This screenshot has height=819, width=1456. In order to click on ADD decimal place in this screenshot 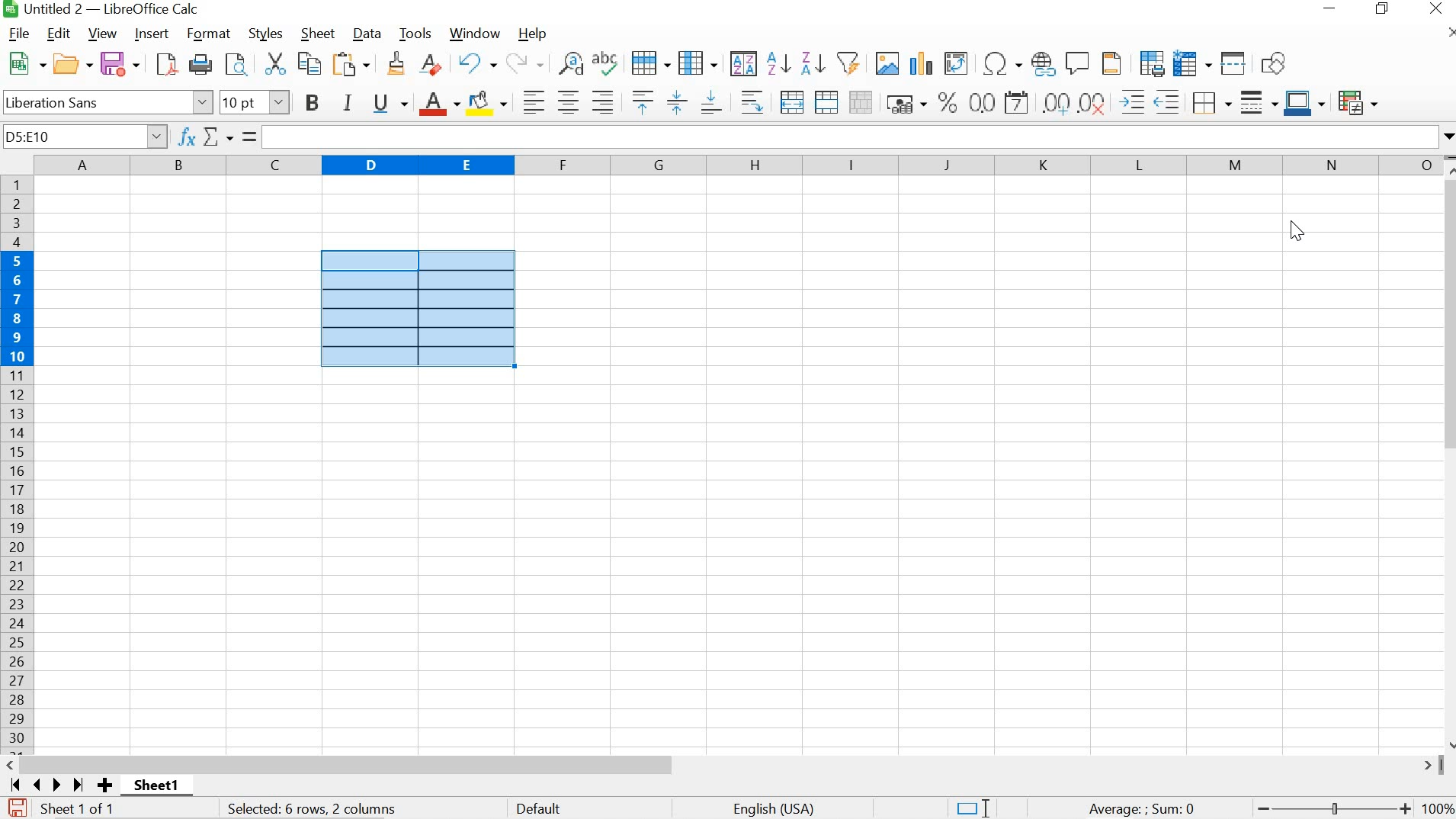, I will do `click(1057, 103)`.